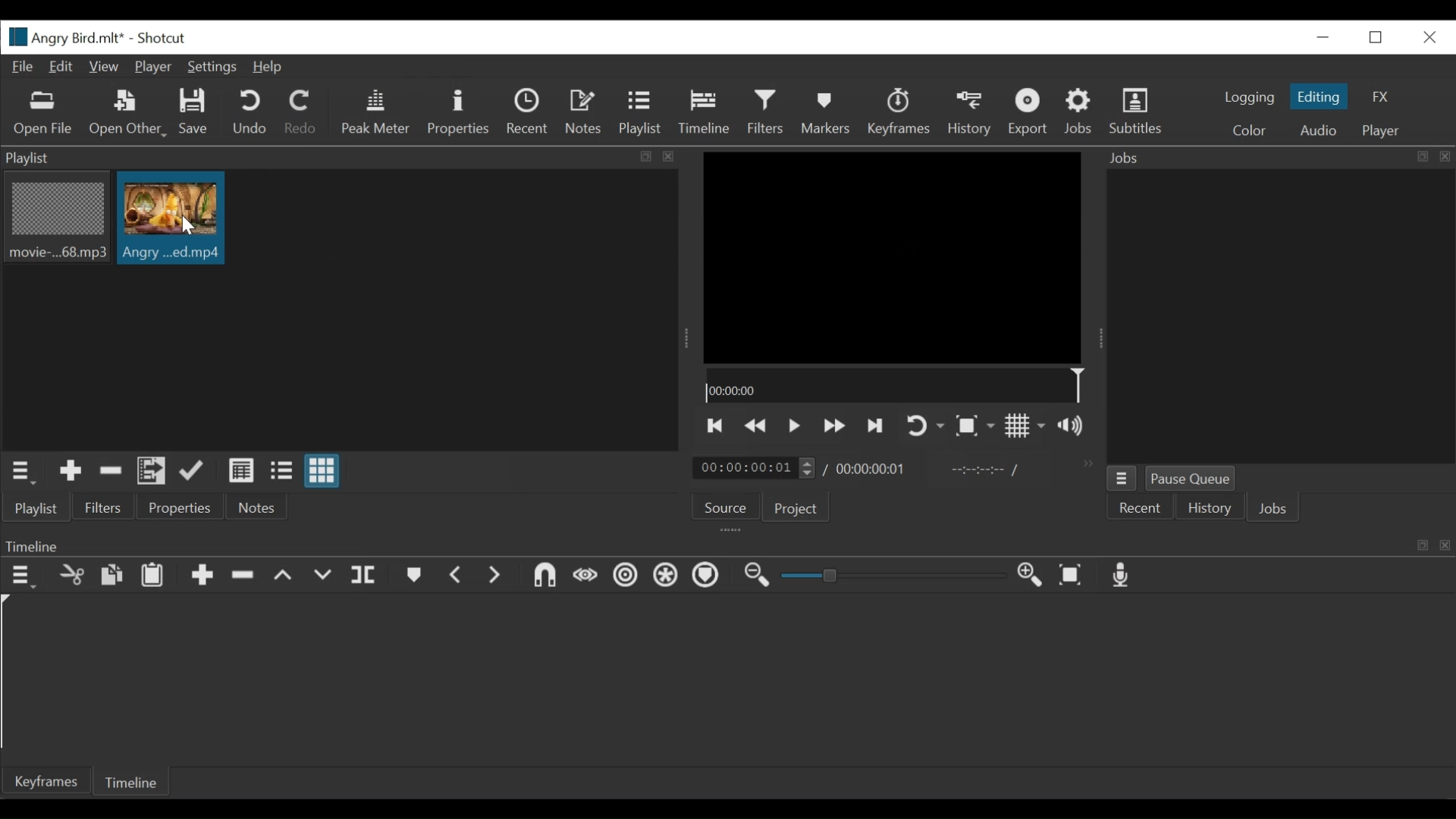  What do you see at coordinates (1319, 96) in the screenshot?
I see `Editing` at bounding box center [1319, 96].